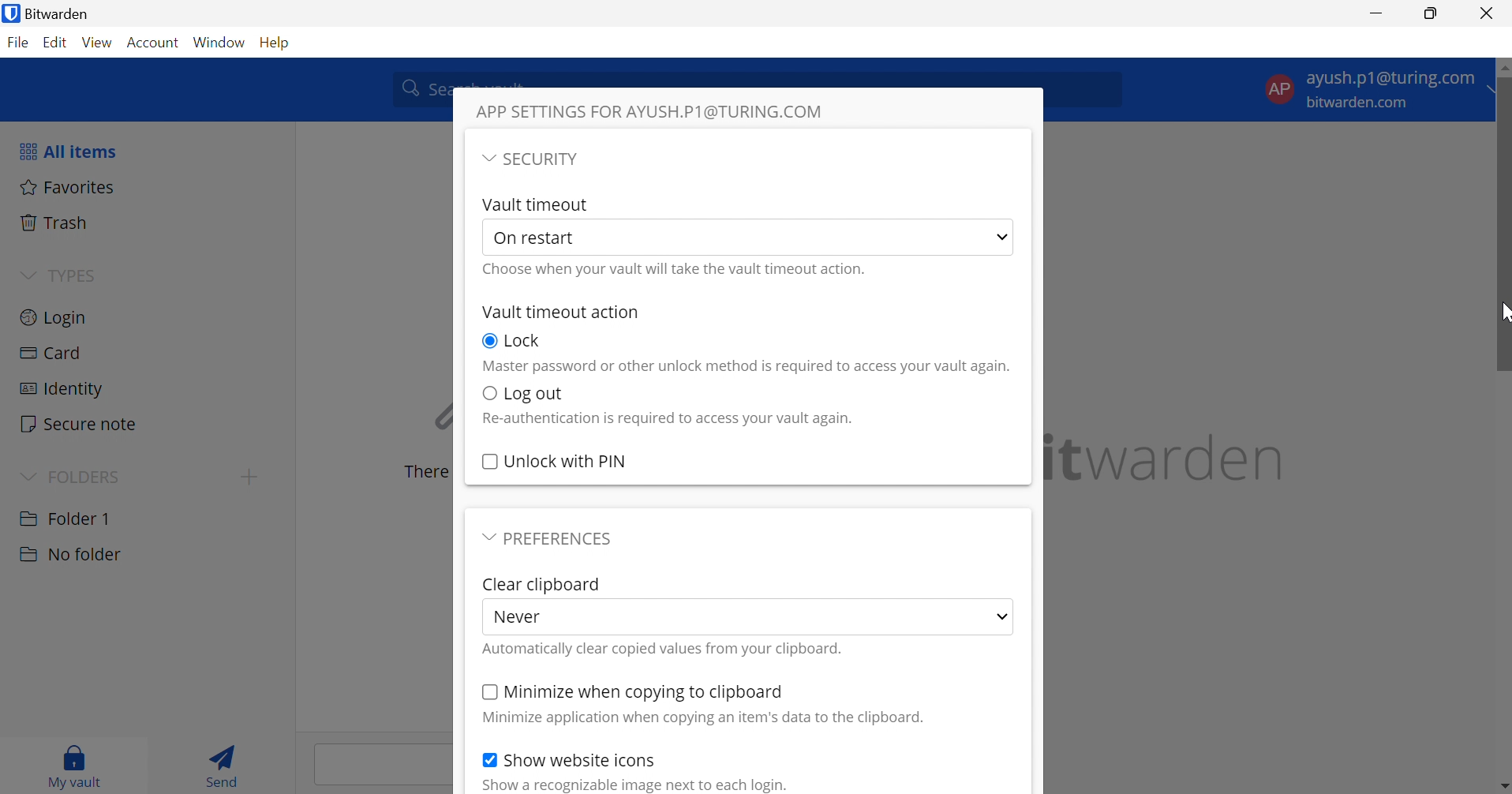 The image size is (1512, 794). Describe the element at coordinates (54, 316) in the screenshot. I see `Login` at that location.